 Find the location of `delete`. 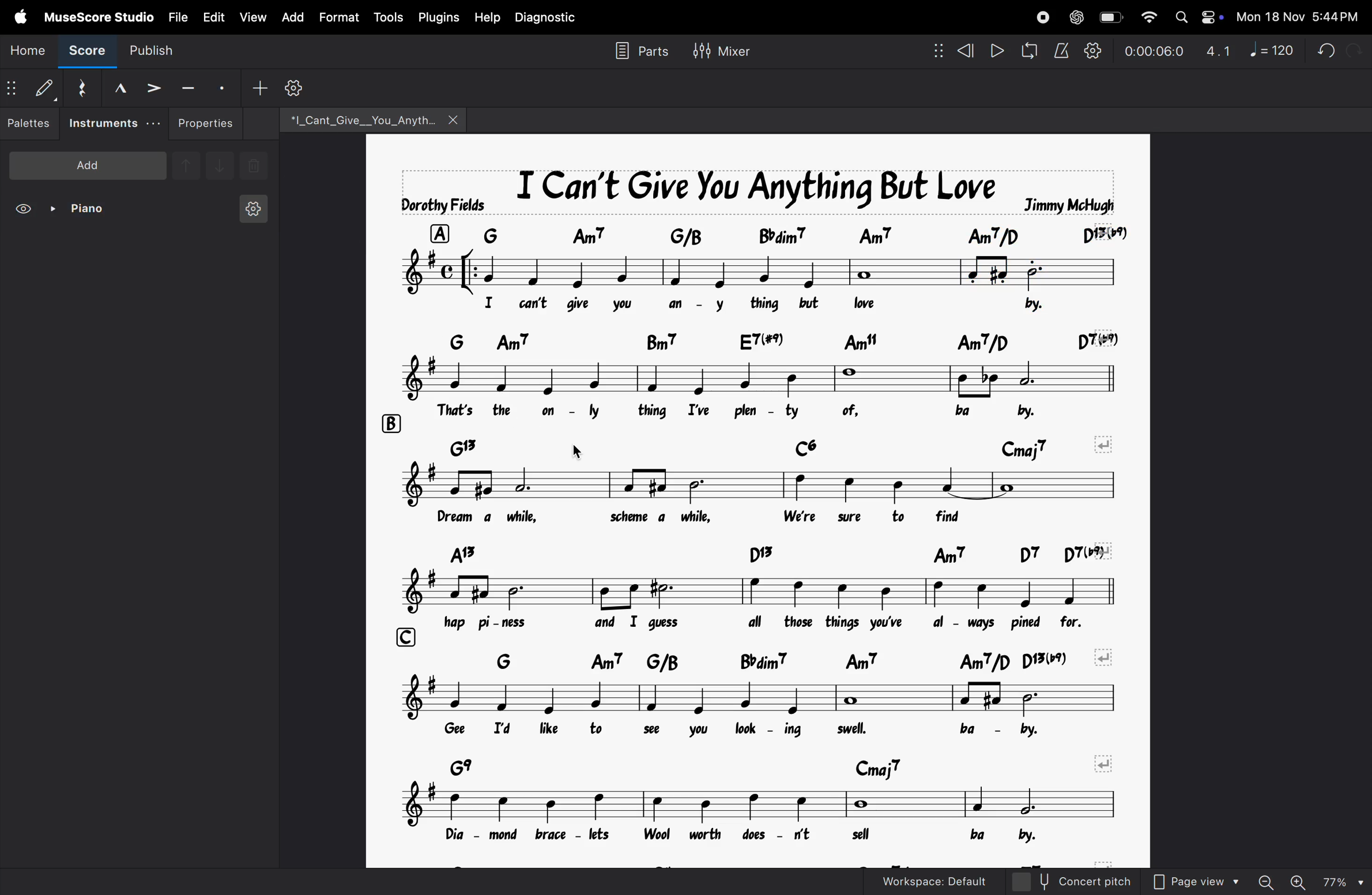

delete is located at coordinates (253, 167).